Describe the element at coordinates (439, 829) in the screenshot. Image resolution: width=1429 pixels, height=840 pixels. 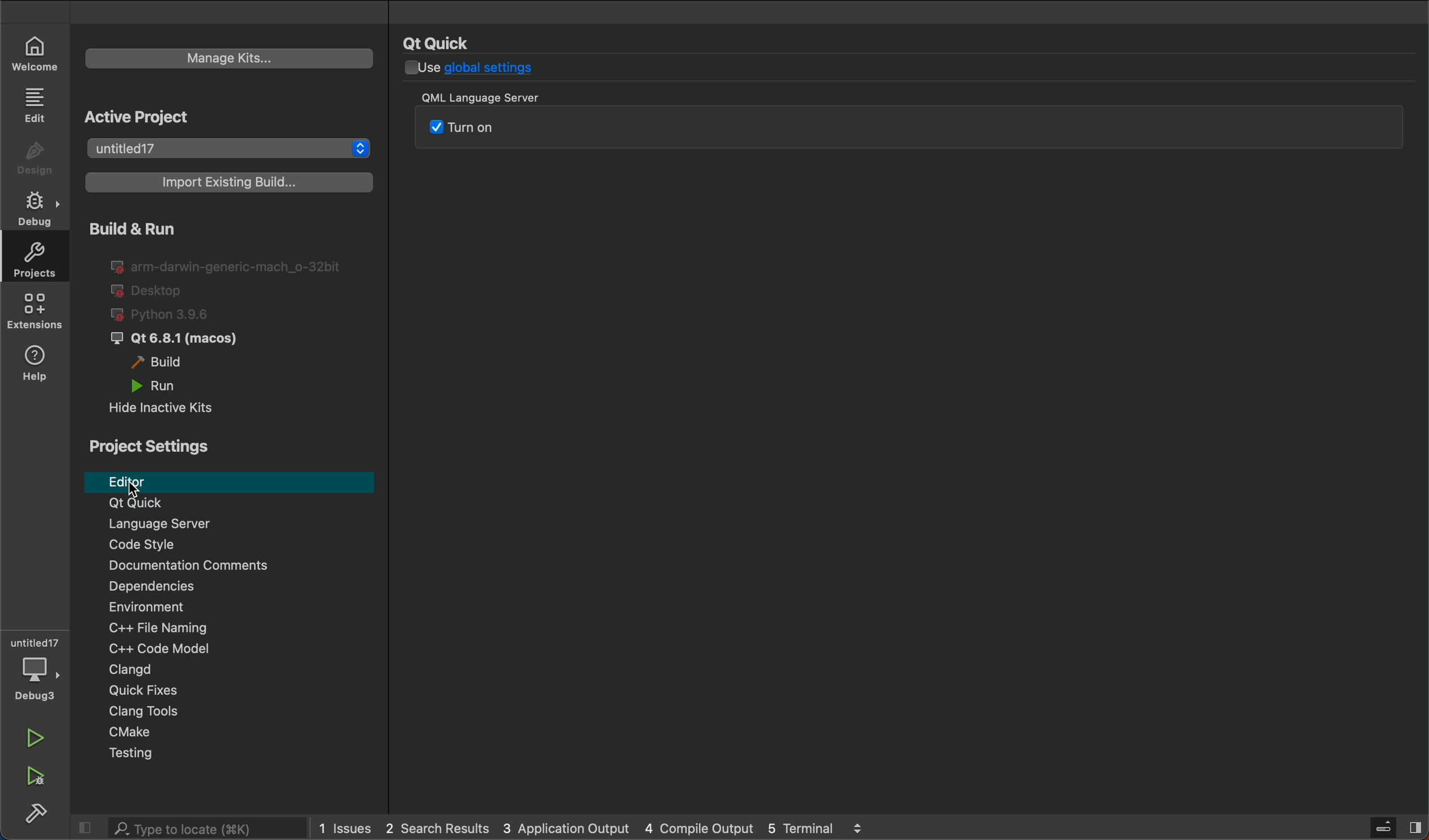
I see `search results` at that location.